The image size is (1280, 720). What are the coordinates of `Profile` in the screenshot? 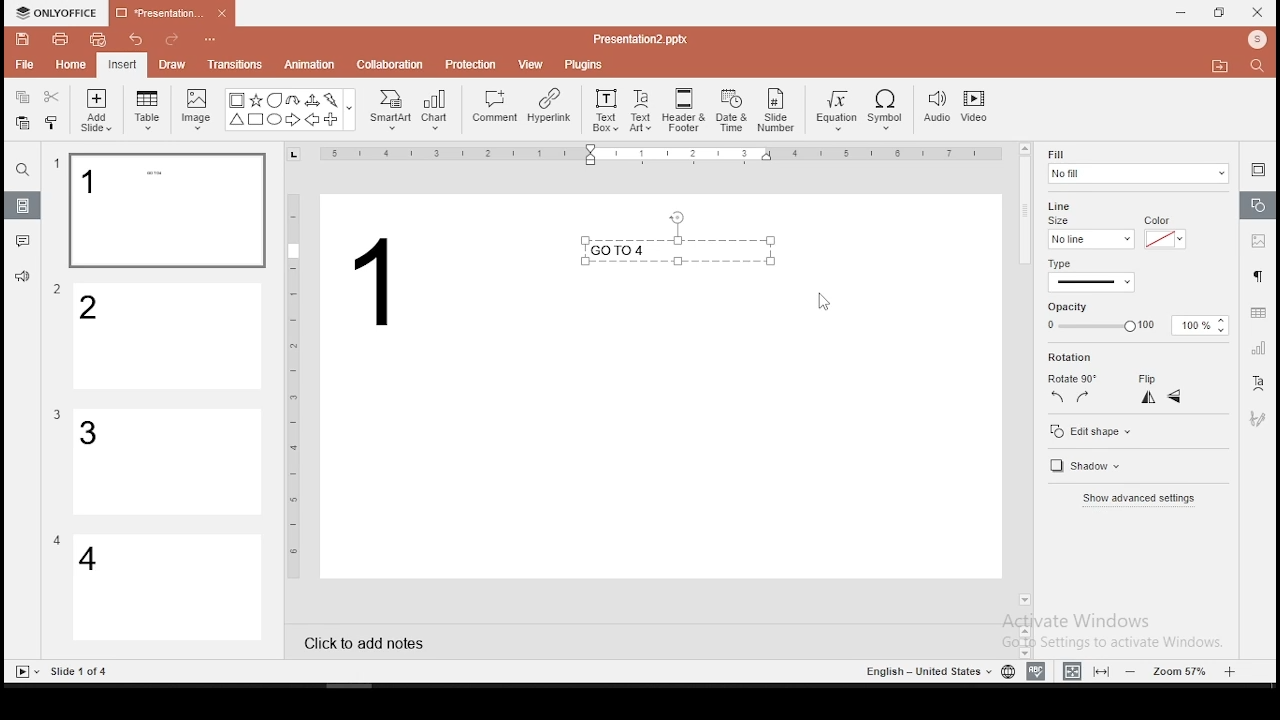 It's located at (1259, 40).